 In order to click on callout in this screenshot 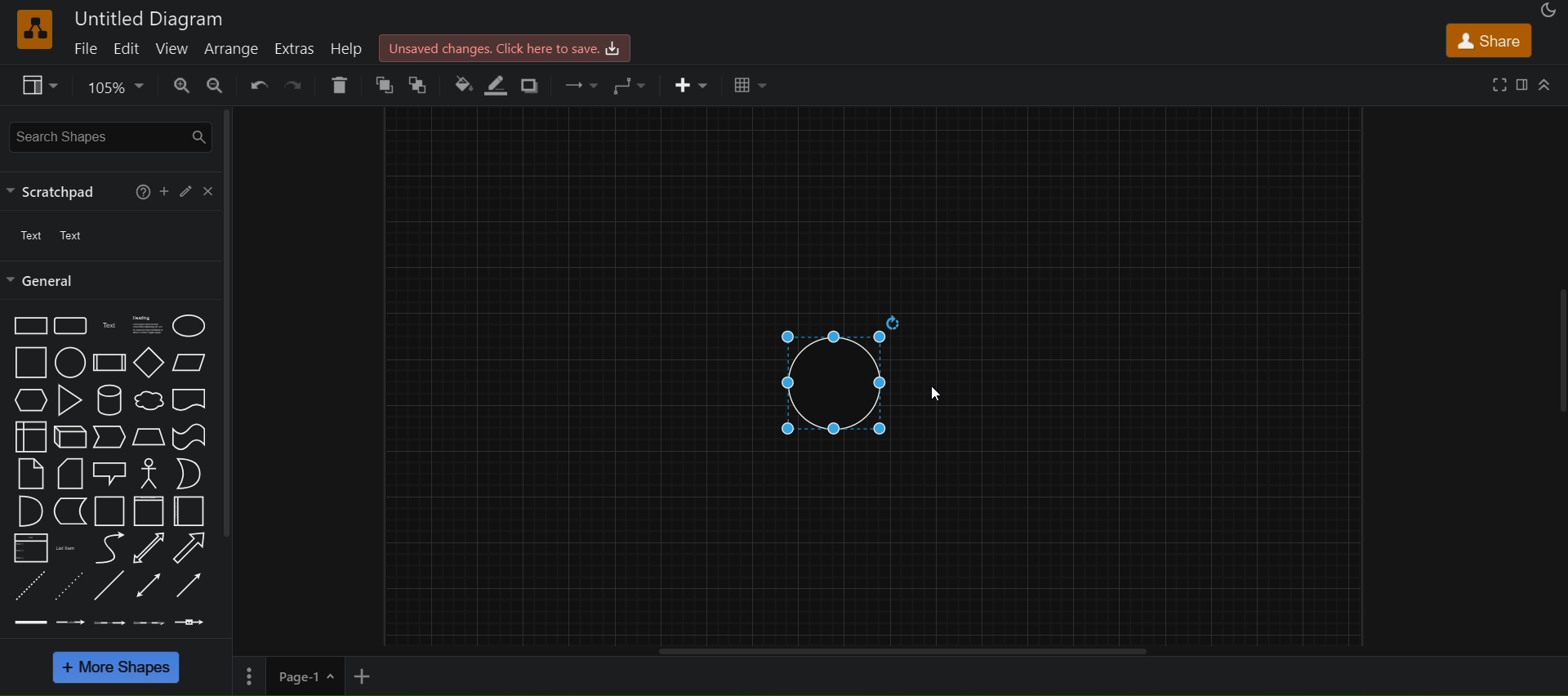, I will do `click(148, 474)`.